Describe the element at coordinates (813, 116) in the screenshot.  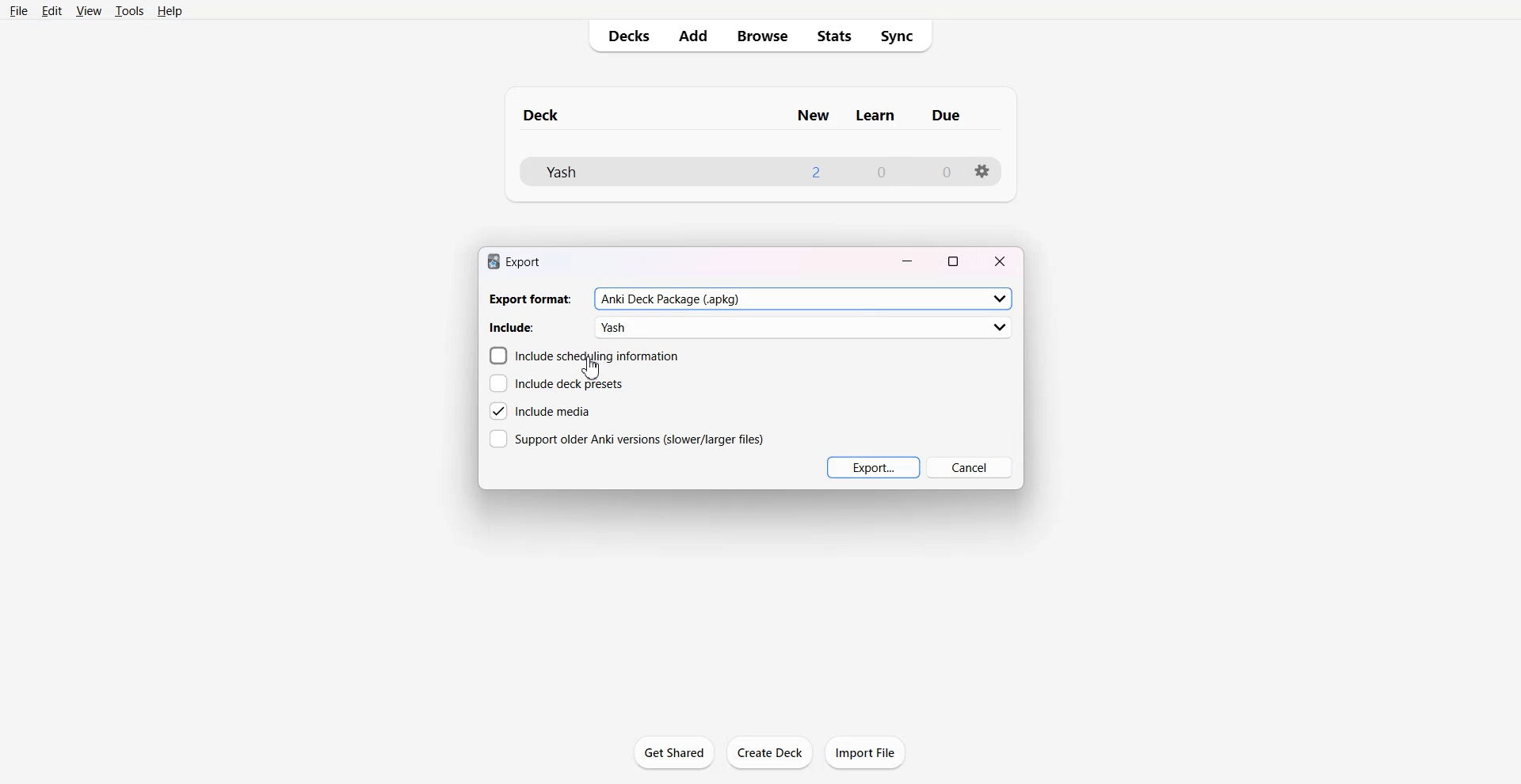
I see `new` at that location.